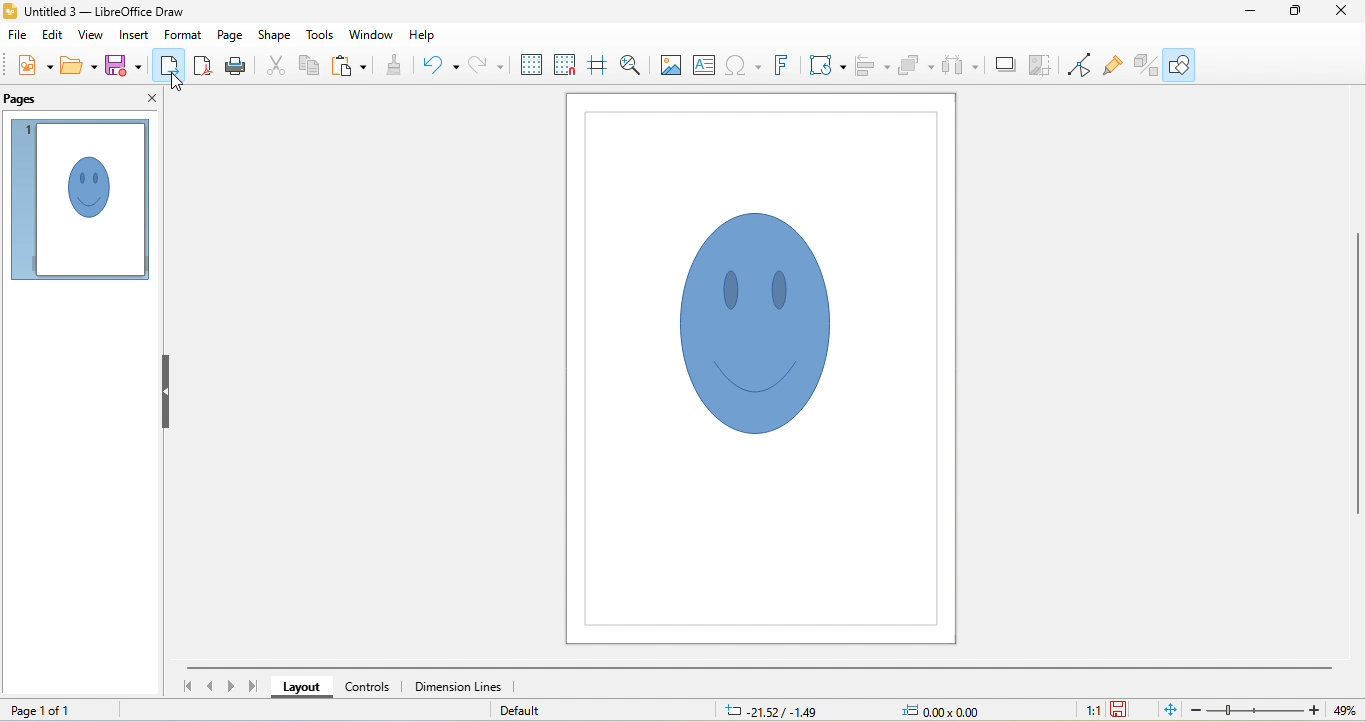 The width and height of the screenshot is (1366, 722). Describe the element at coordinates (396, 65) in the screenshot. I see `clone` at that location.